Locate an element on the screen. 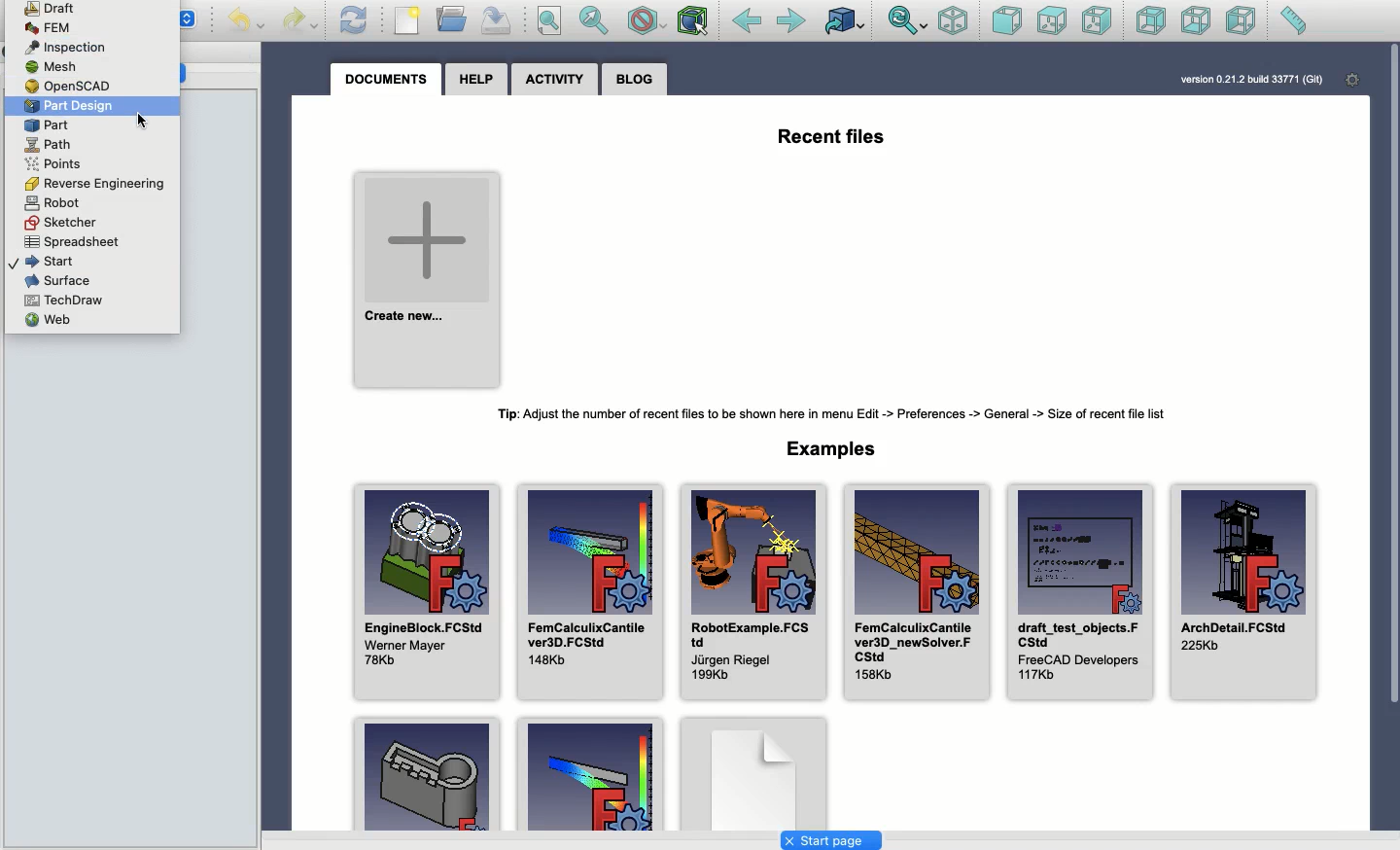  Sketcher is located at coordinates (64, 222).